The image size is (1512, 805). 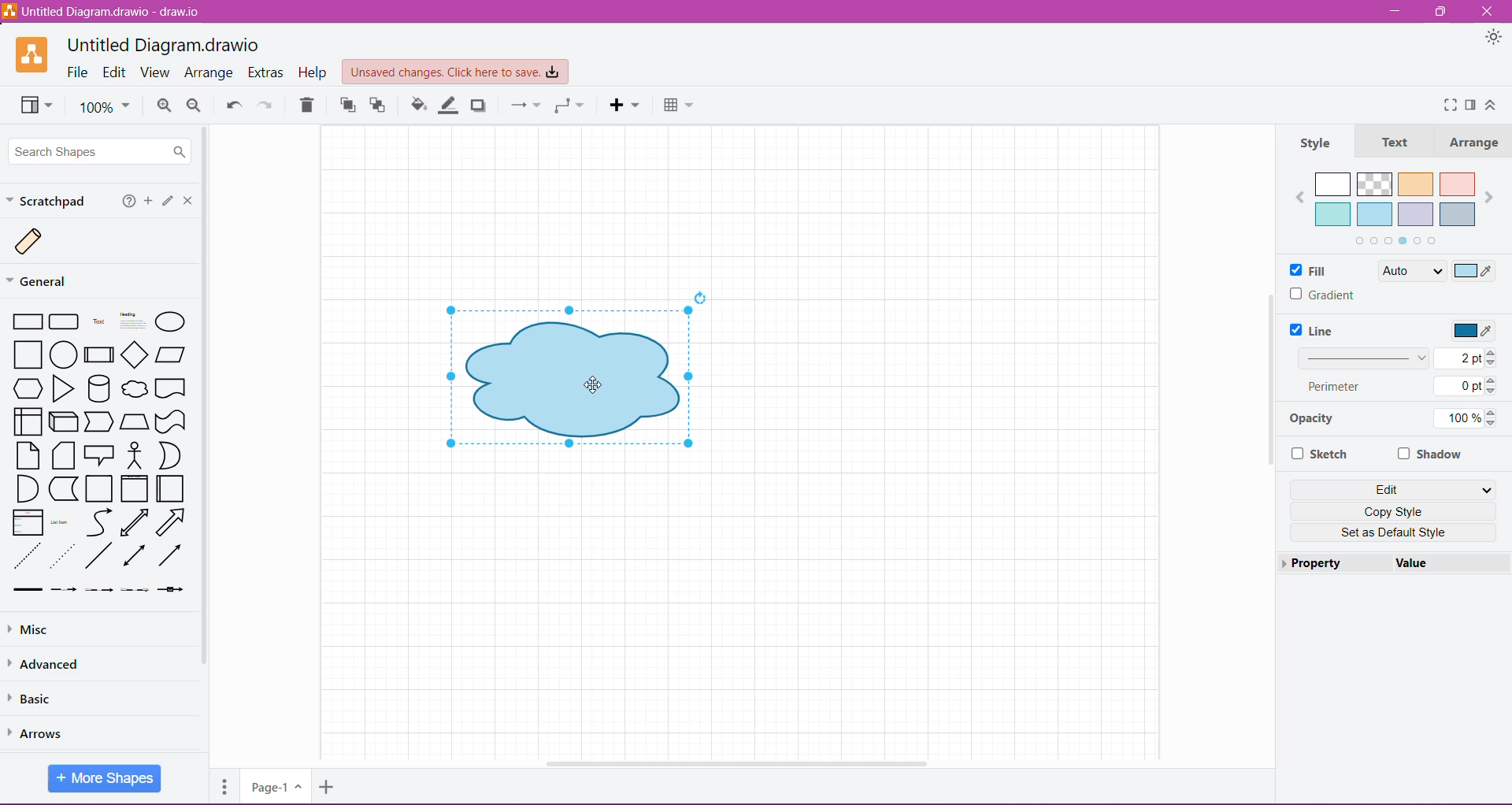 I want to click on Trash, so click(x=306, y=107).